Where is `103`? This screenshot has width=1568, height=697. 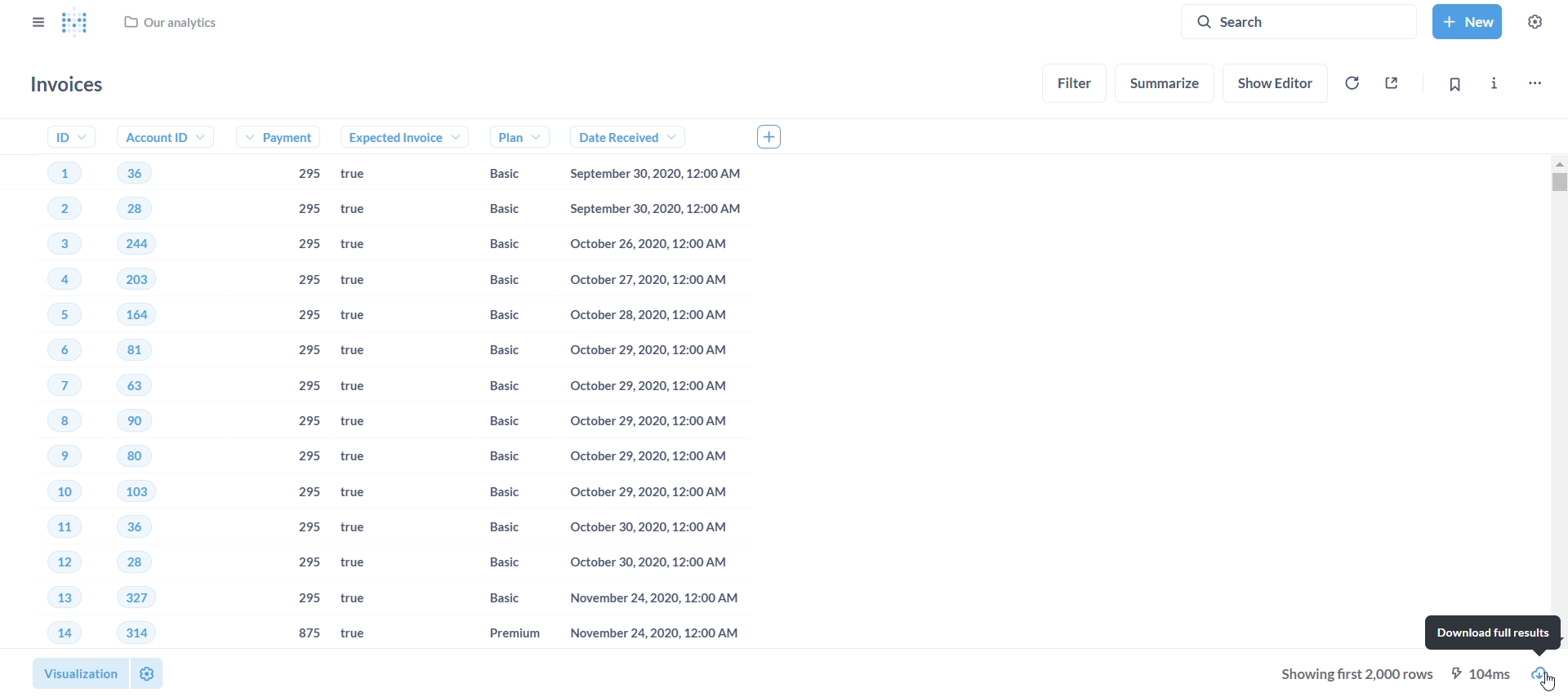
103 is located at coordinates (140, 492).